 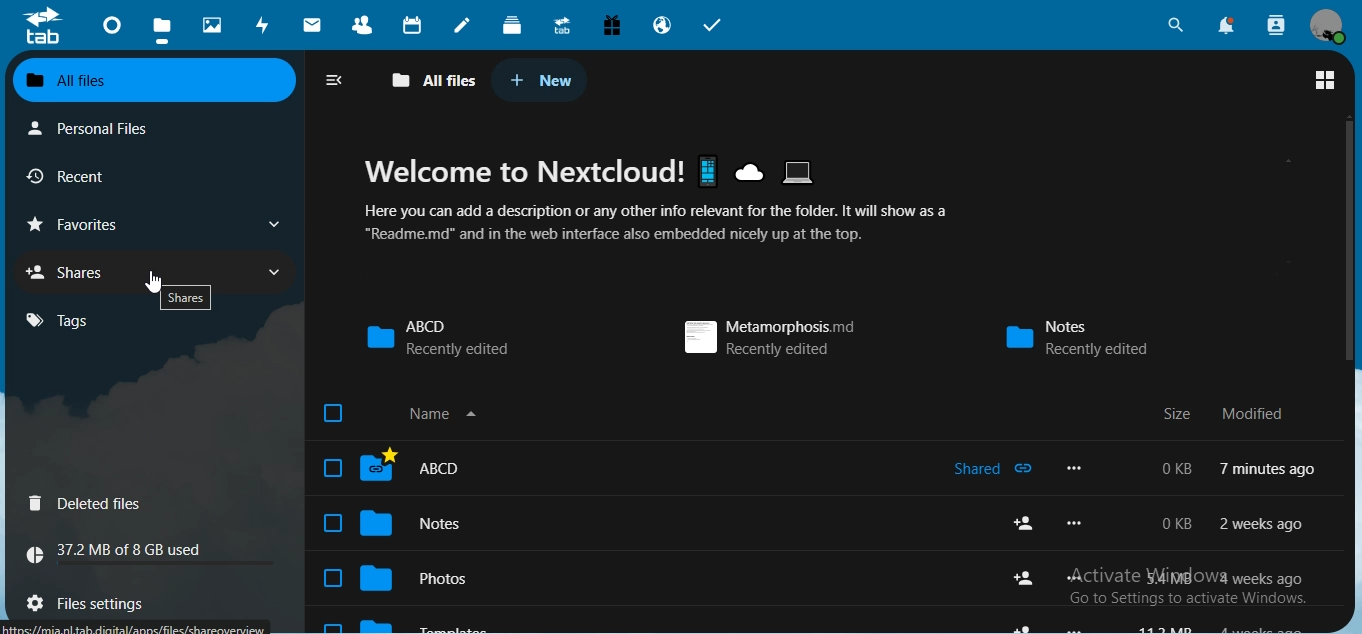 What do you see at coordinates (1327, 26) in the screenshot?
I see `view profile` at bounding box center [1327, 26].